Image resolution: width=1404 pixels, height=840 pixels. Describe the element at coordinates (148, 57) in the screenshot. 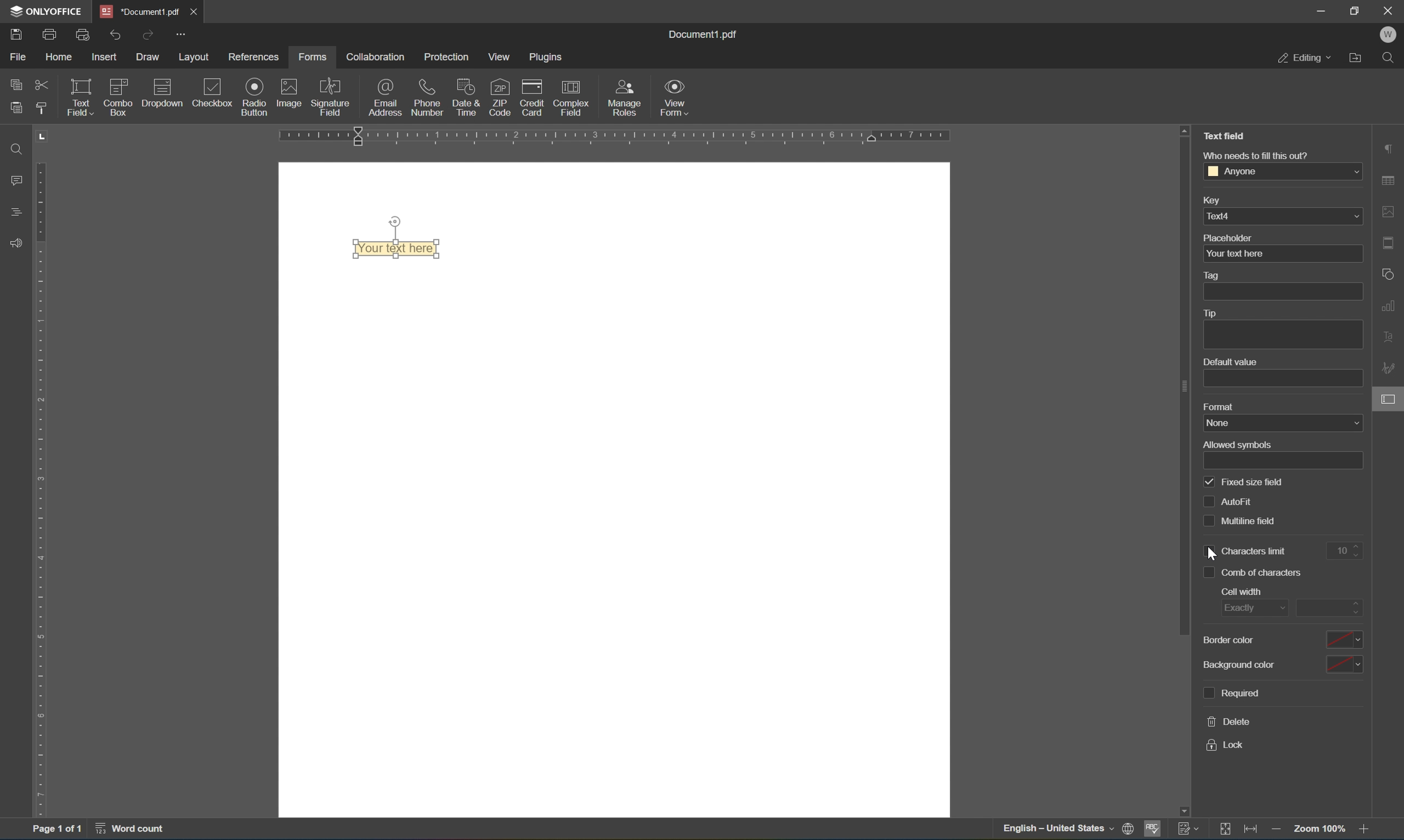

I see `draw` at that location.